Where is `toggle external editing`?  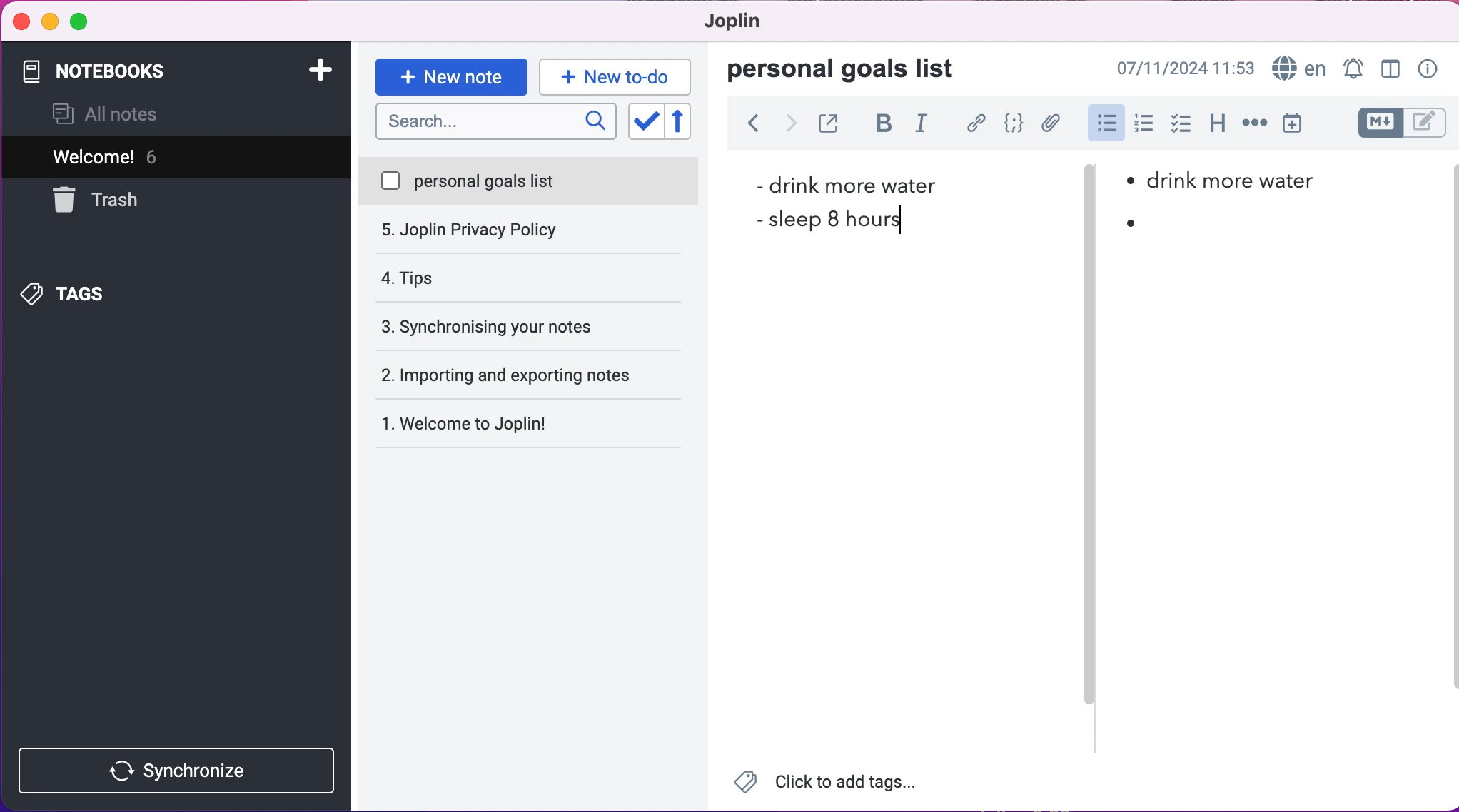 toggle external editing is located at coordinates (829, 126).